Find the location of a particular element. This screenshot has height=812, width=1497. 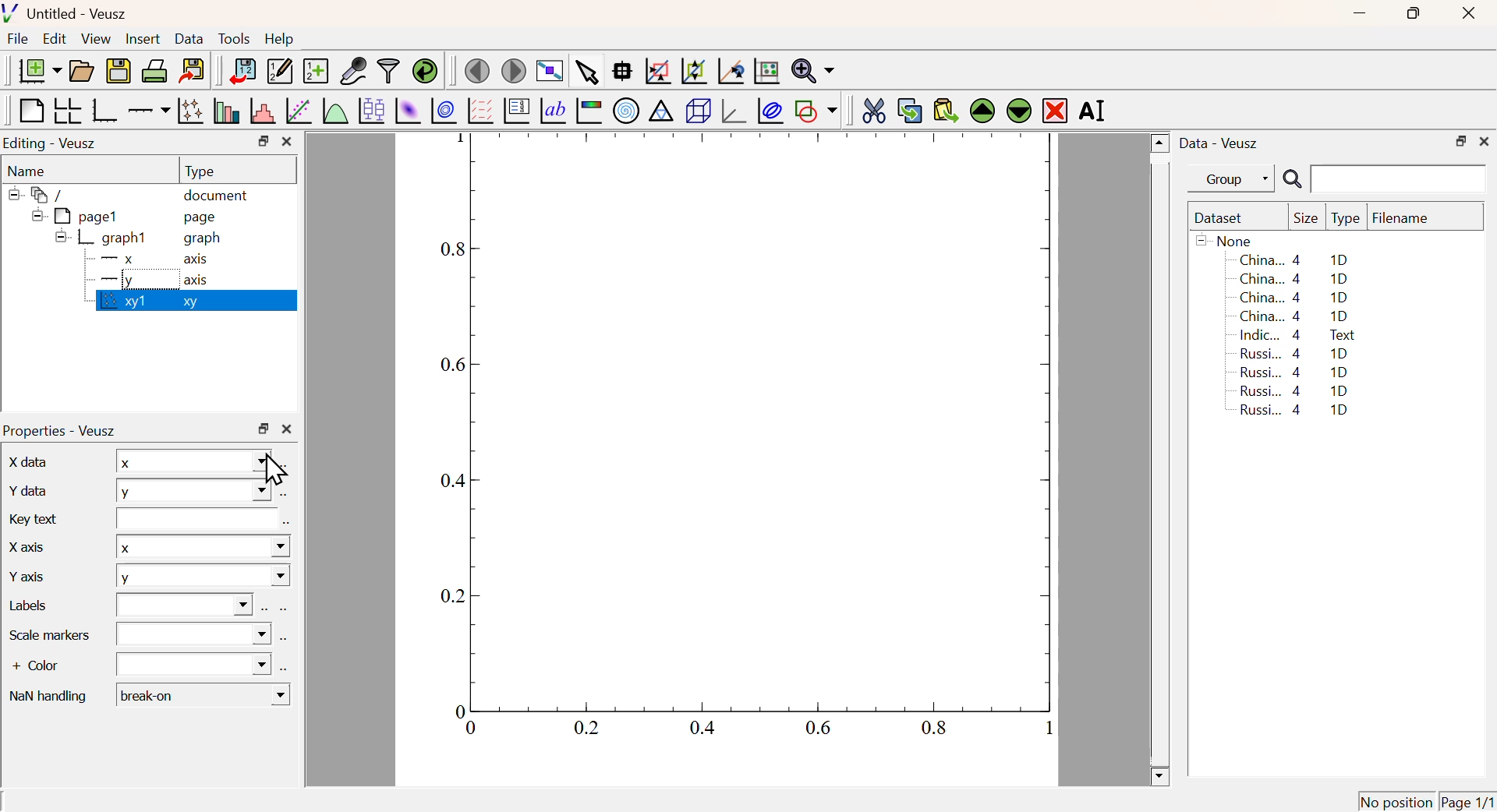

Move to next page is located at coordinates (515, 71).